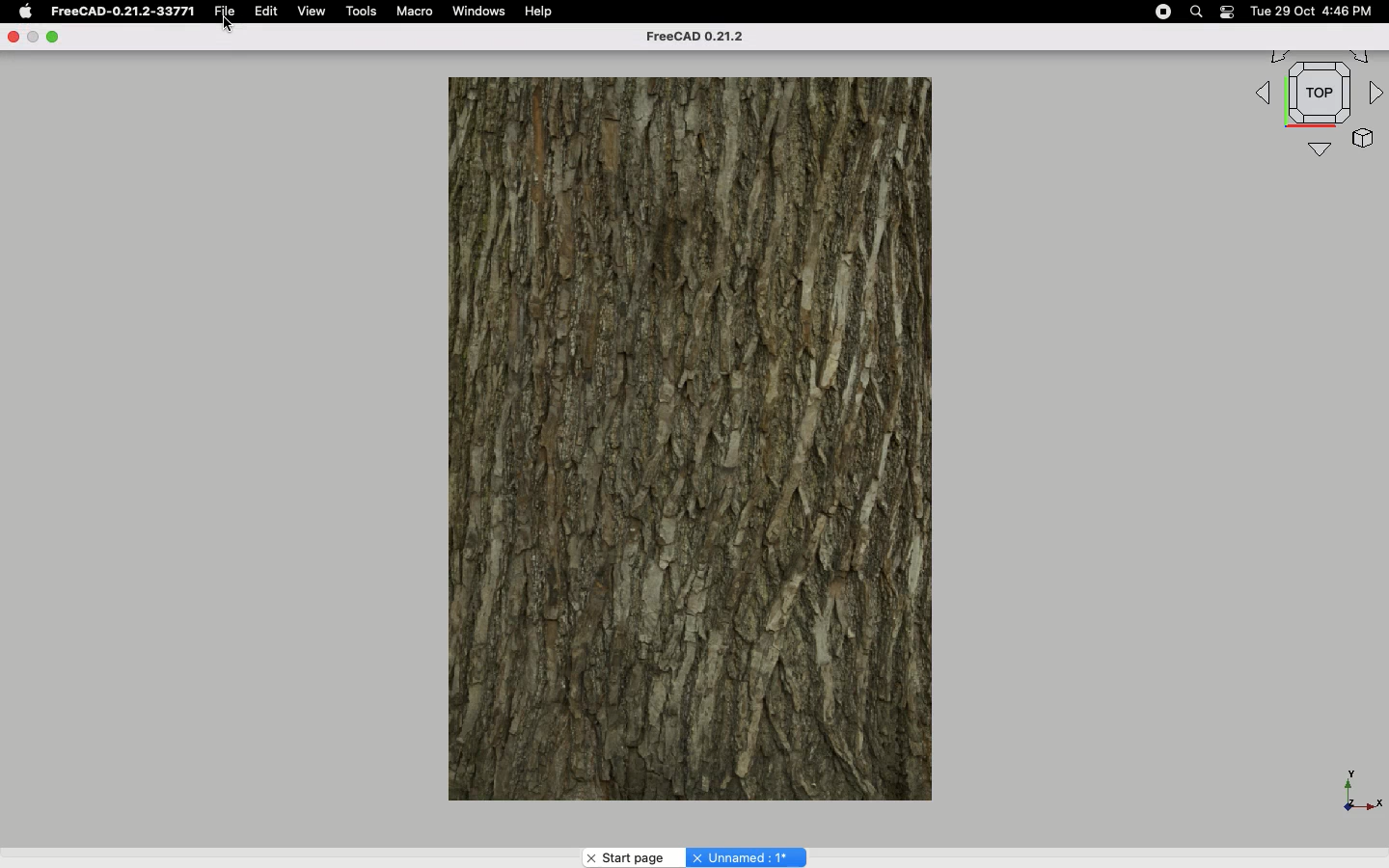 This screenshot has width=1389, height=868. Describe the element at coordinates (1316, 105) in the screenshot. I see `Navigation styles` at that location.